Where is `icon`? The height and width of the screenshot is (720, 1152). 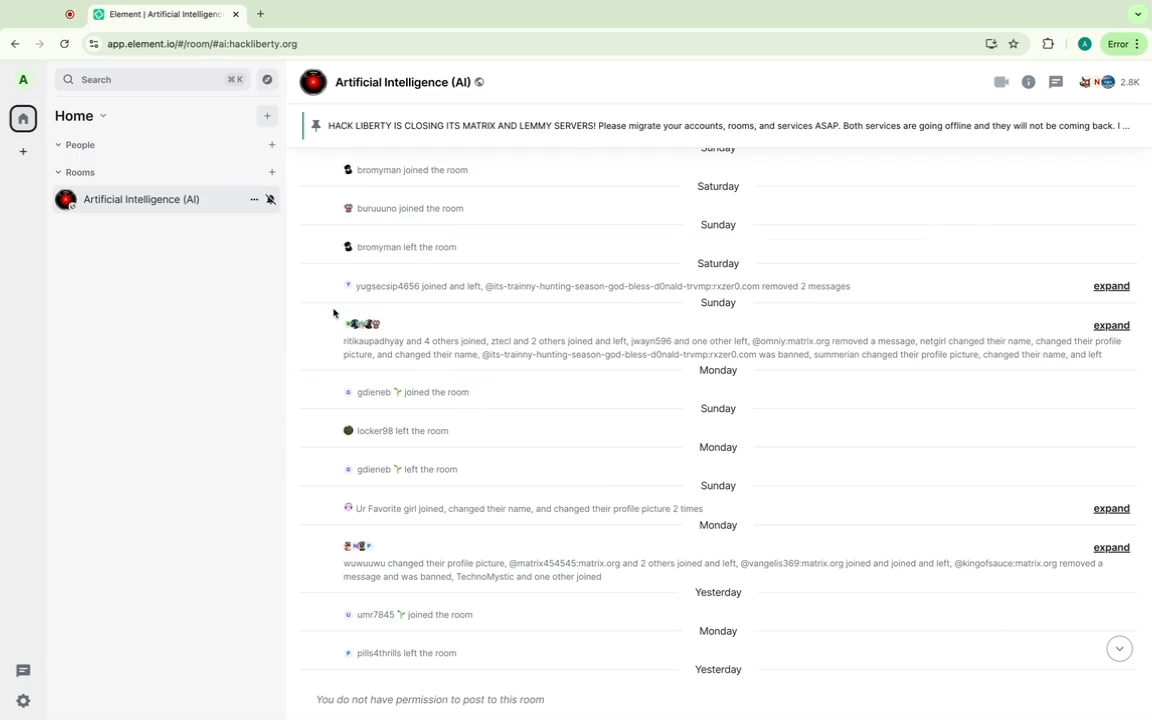 icon is located at coordinates (312, 84).